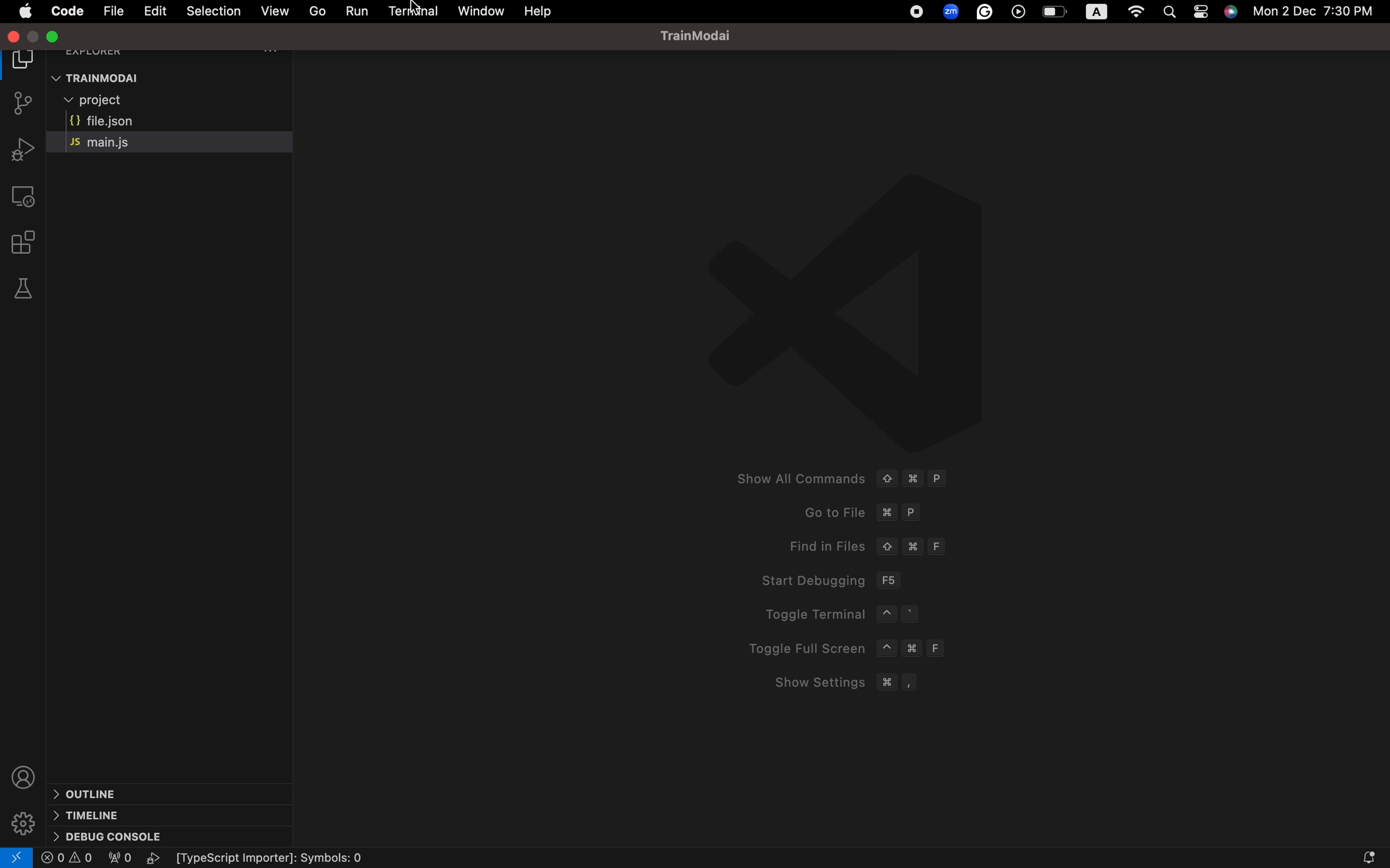  What do you see at coordinates (273, 10) in the screenshot?
I see `view` at bounding box center [273, 10].